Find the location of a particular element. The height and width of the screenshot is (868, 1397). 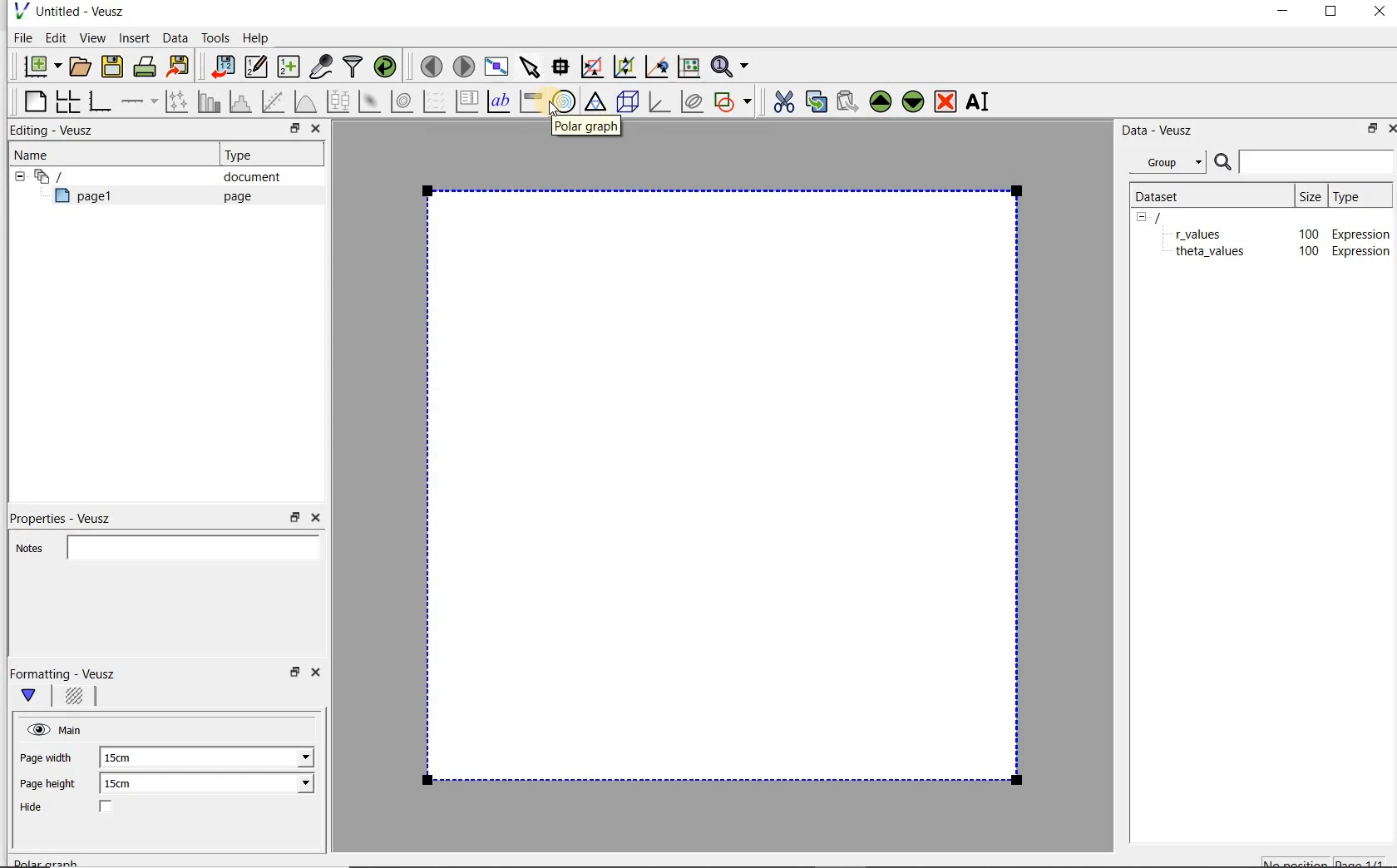

Notes is located at coordinates (162, 545).